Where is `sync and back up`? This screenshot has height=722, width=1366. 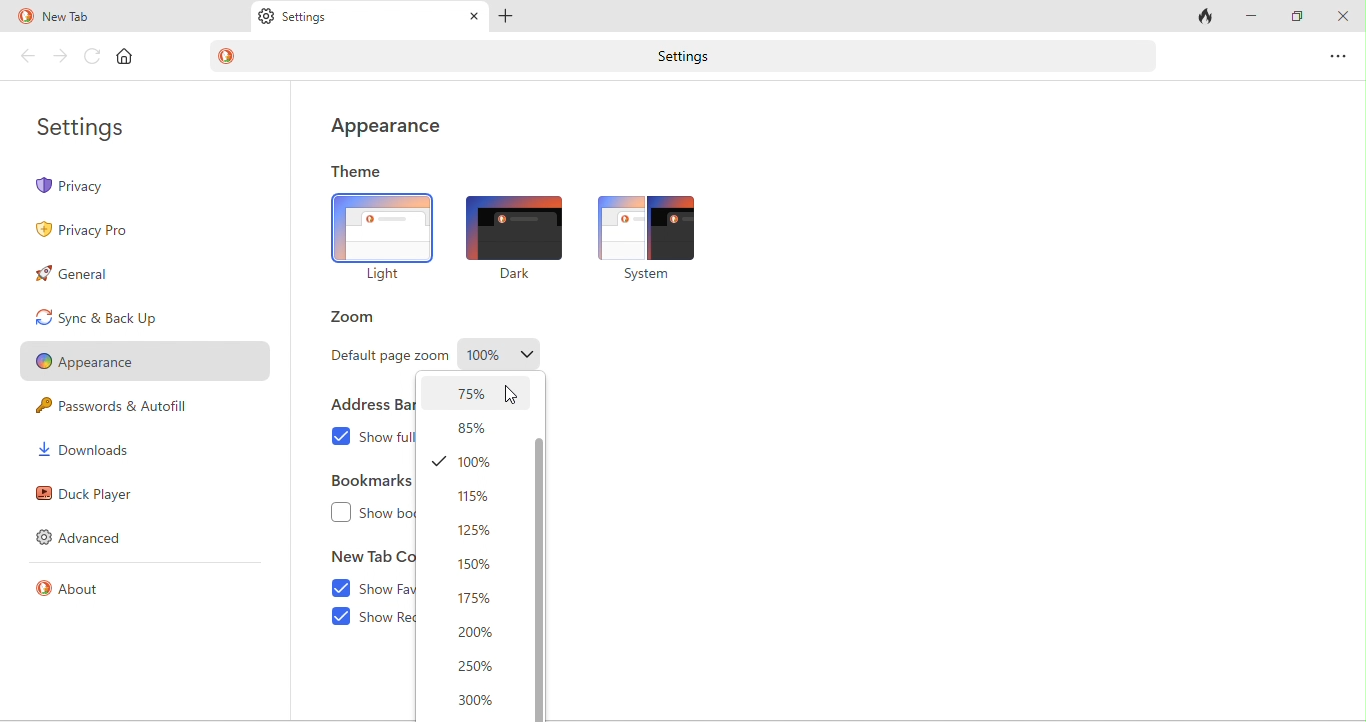
sync and back up is located at coordinates (124, 318).